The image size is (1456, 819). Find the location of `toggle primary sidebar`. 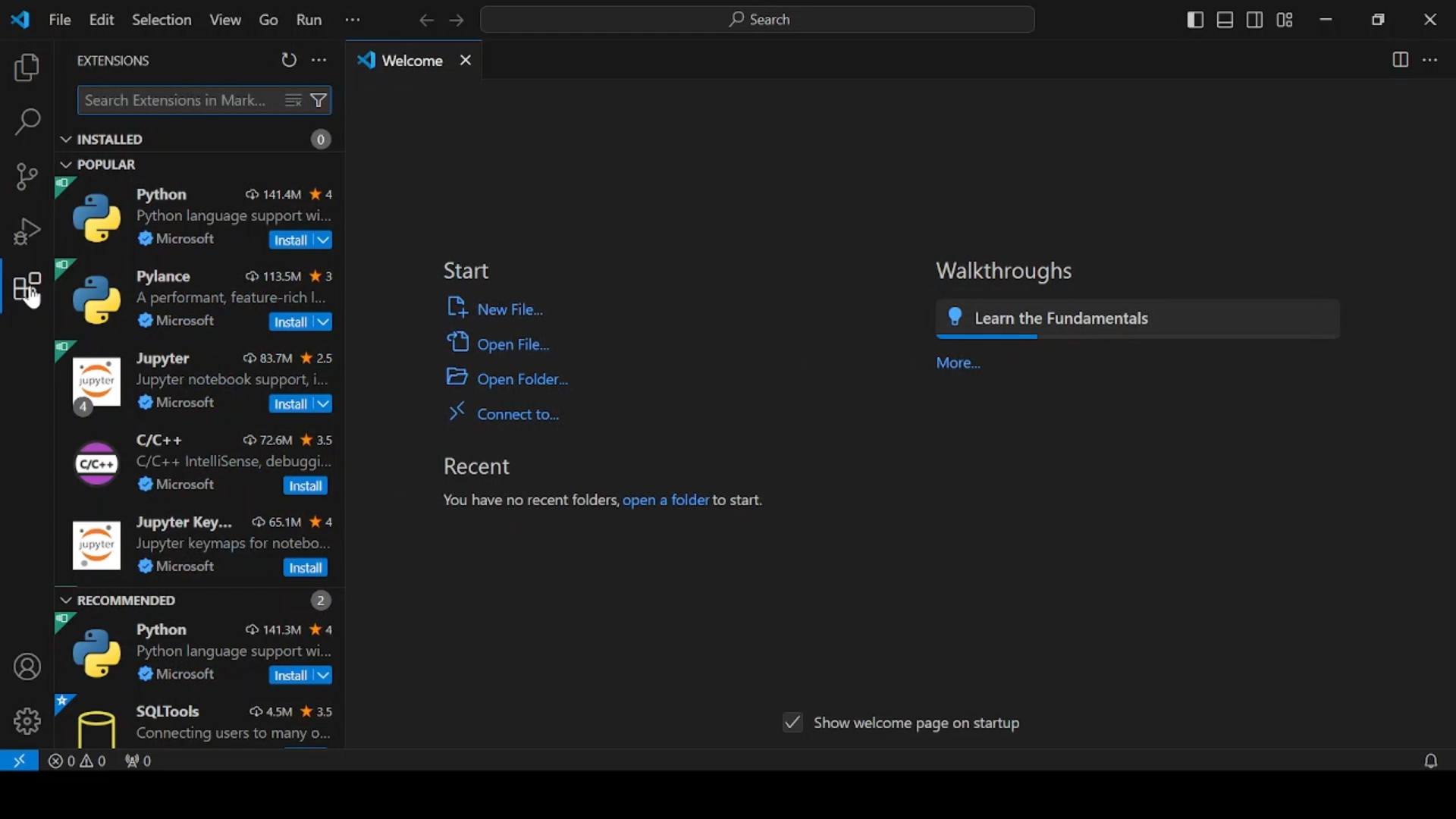

toggle primary sidebar is located at coordinates (1194, 20).